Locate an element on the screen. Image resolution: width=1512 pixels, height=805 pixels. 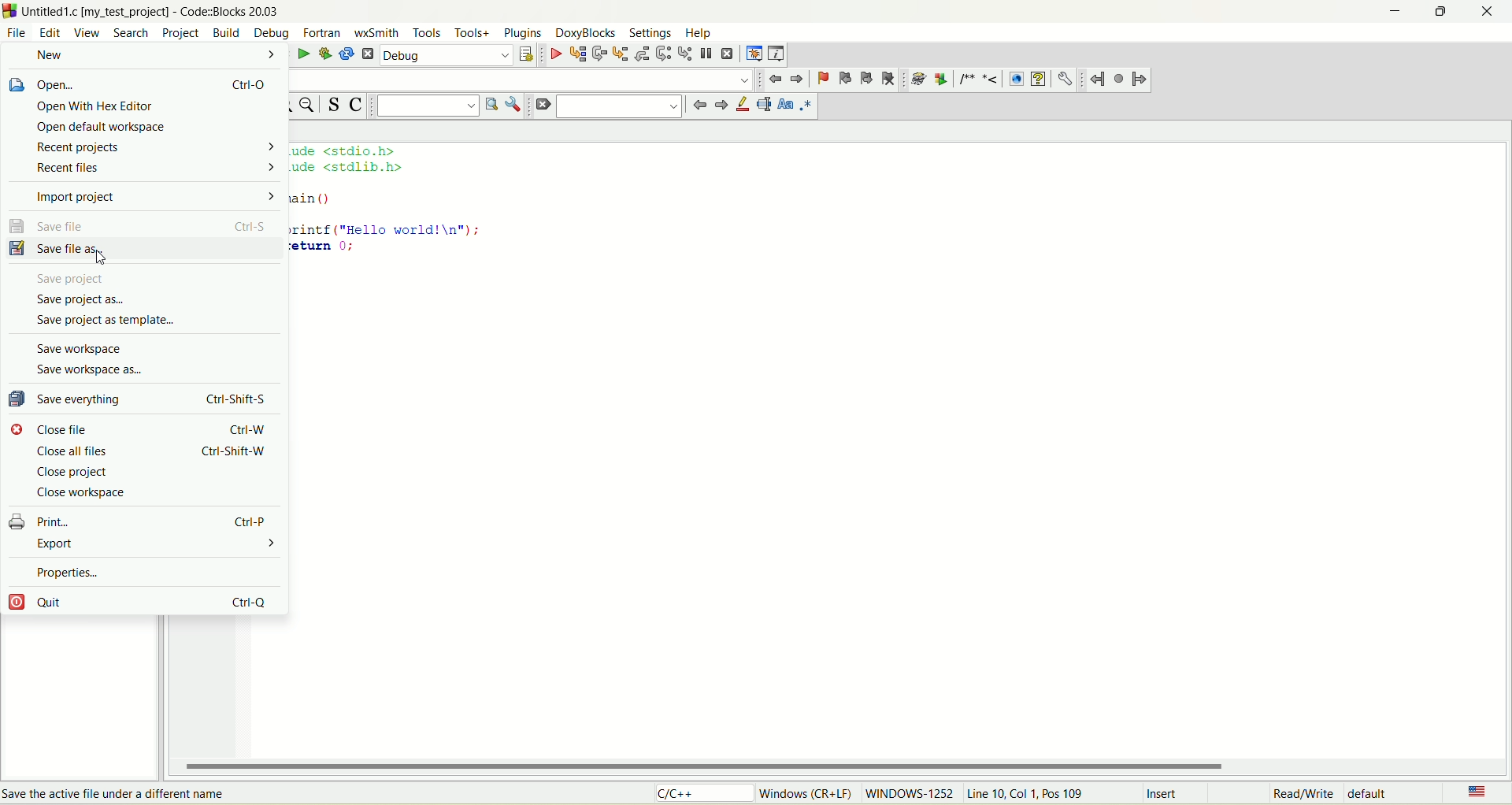
show options window is located at coordinates (515, 106).